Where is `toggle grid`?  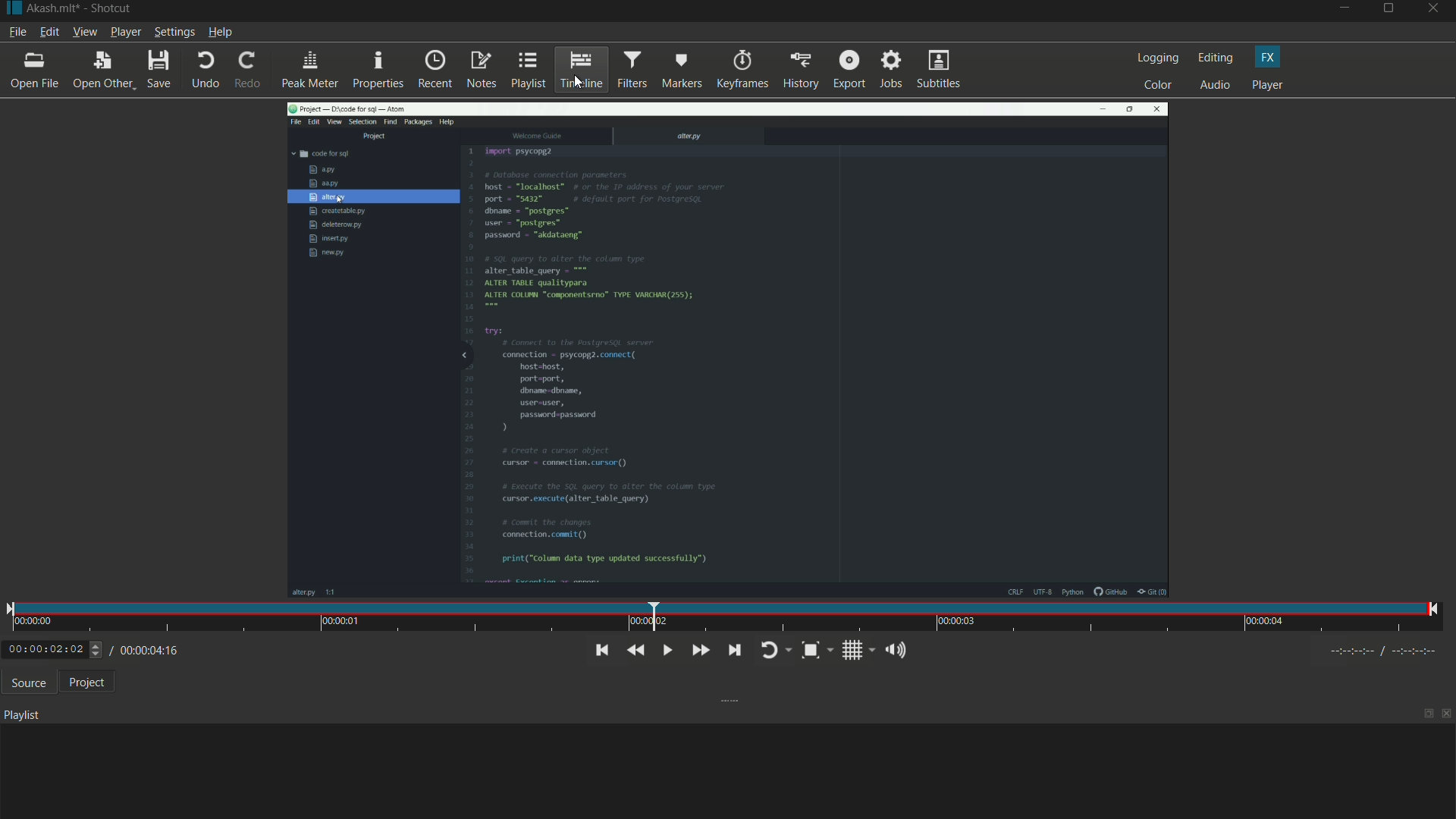 toggle grid is located at coordinates (857, 650).